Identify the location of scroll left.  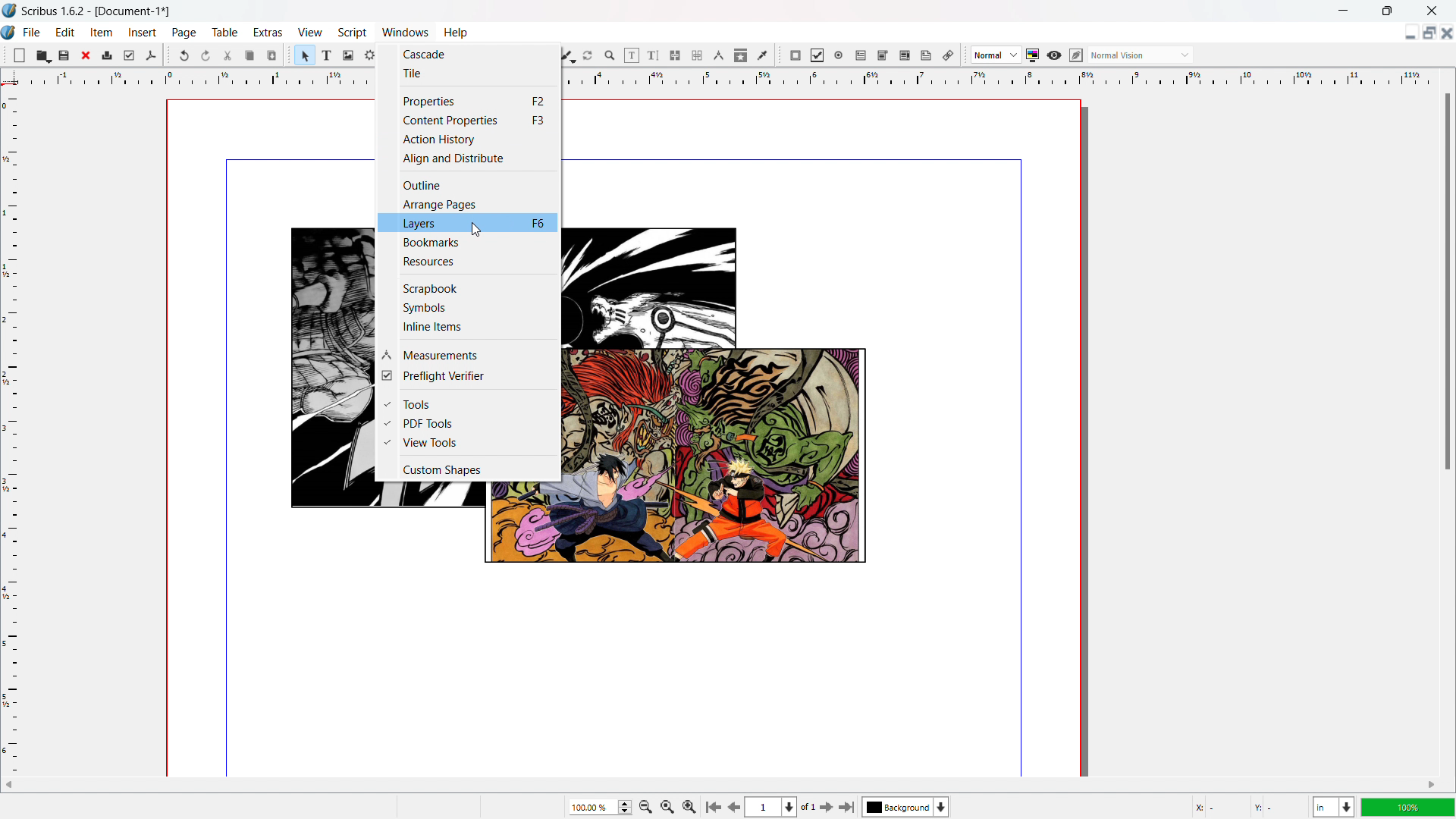
(10, 784).